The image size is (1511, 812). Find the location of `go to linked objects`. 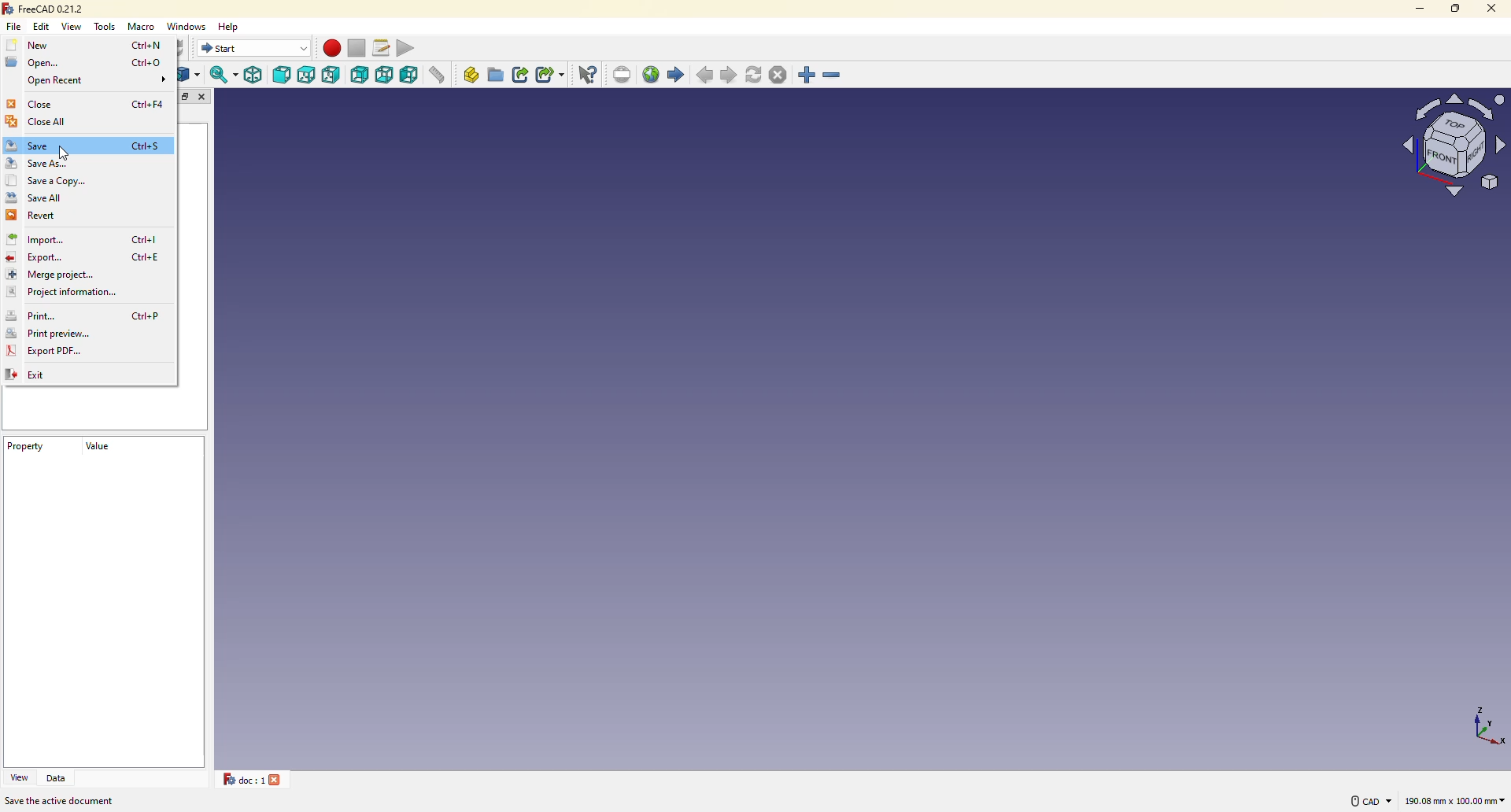

go to linked objects is located at coordinates (190, 76).